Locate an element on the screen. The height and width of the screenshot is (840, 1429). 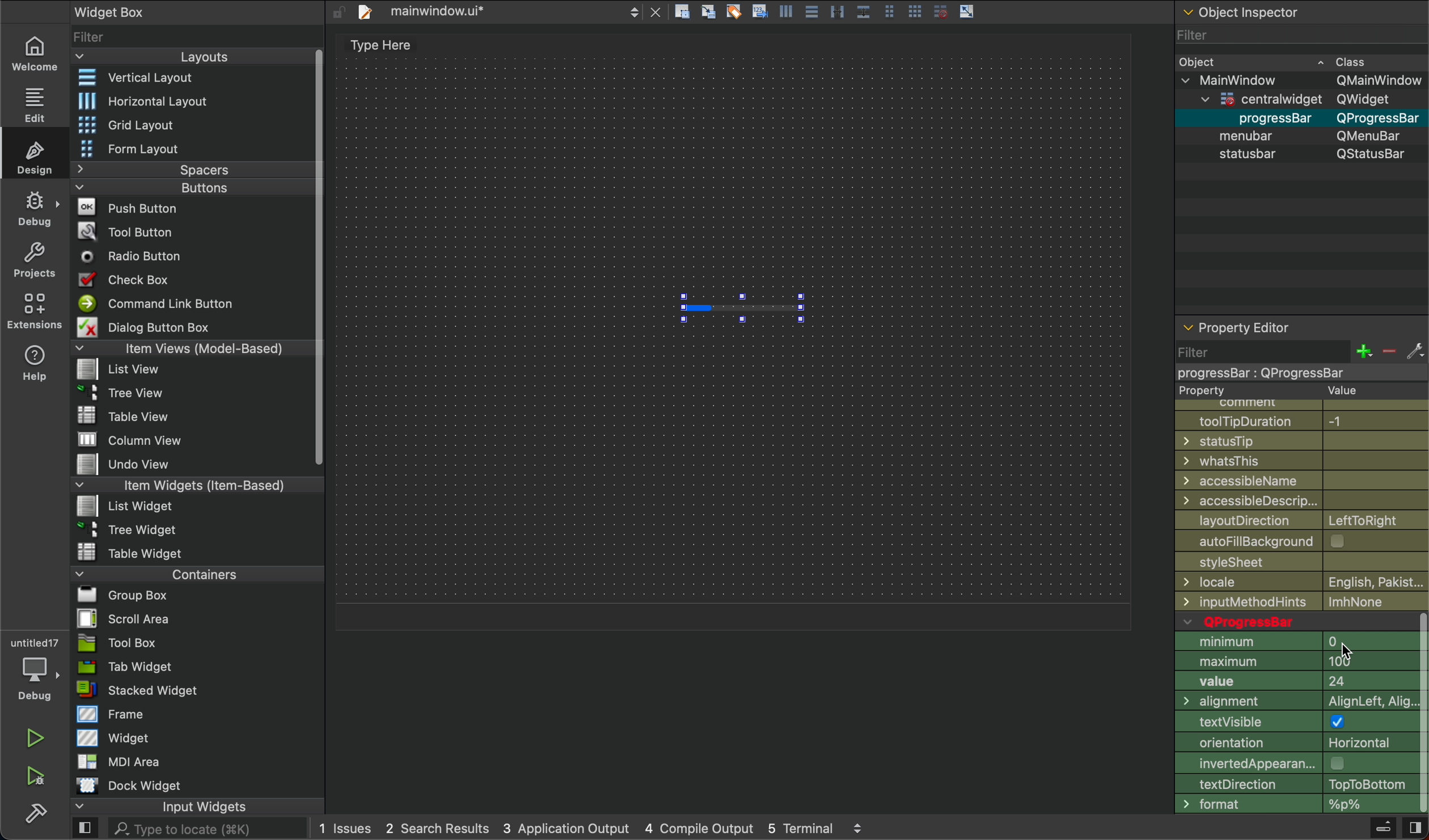
File is located at coordinates (132, 551).